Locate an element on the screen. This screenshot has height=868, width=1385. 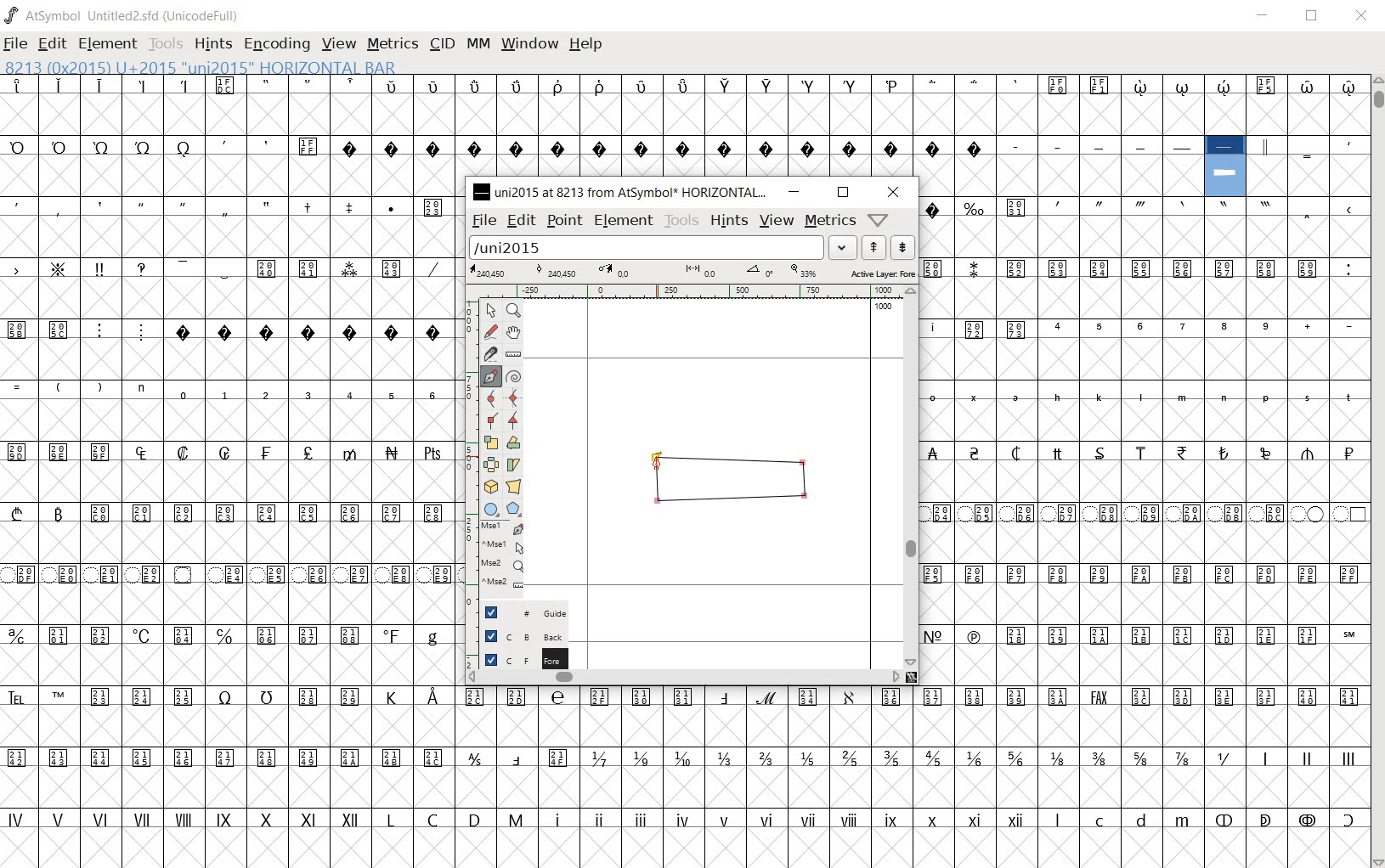
draw a freehand curve is located at coordinates (490, 331).